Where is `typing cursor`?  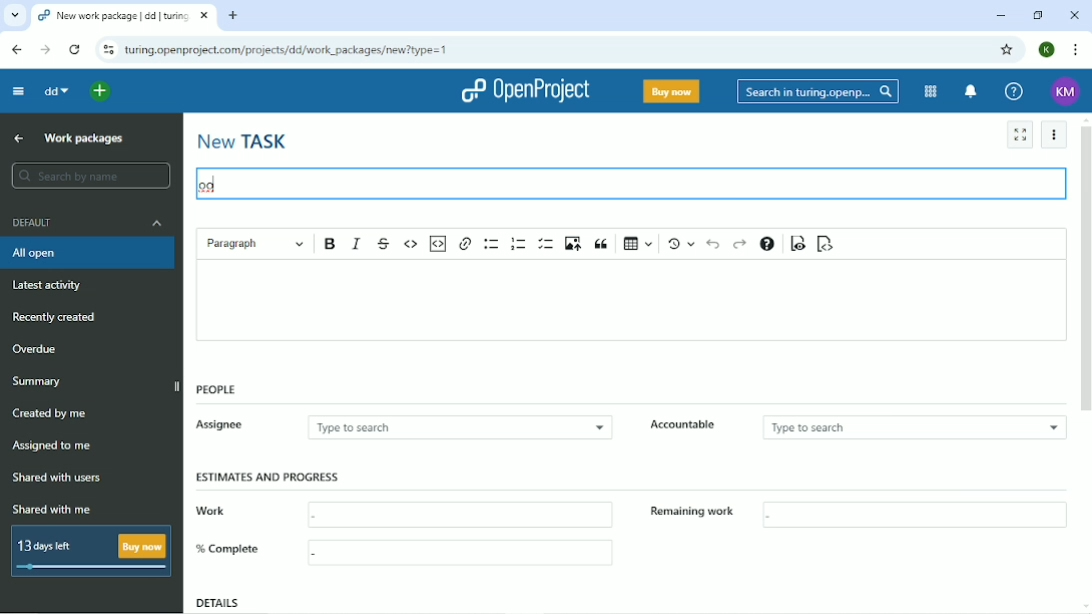
typing cursor is located at coordinates (222, 186).